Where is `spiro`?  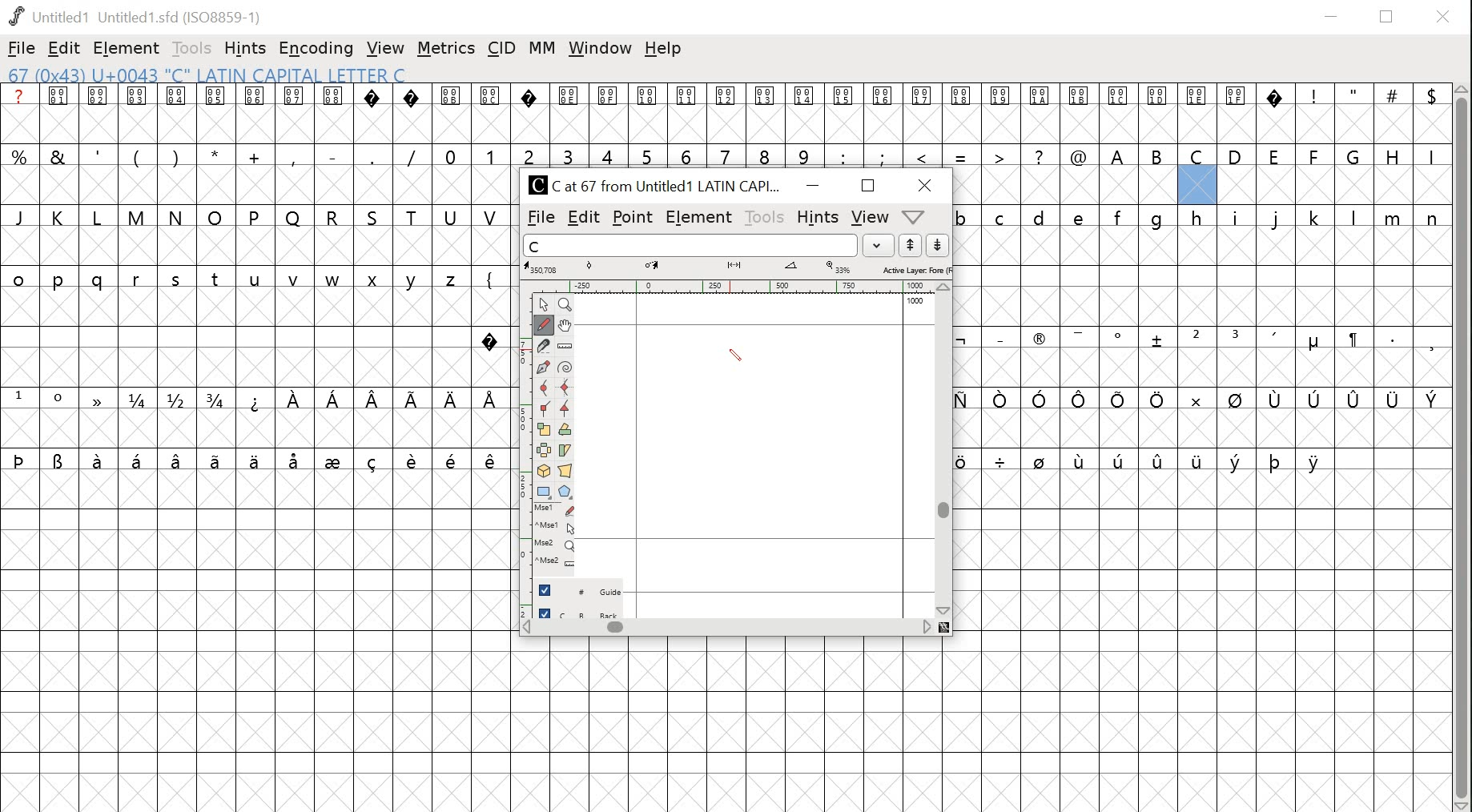
spiro is located at coordinates (567, 368).